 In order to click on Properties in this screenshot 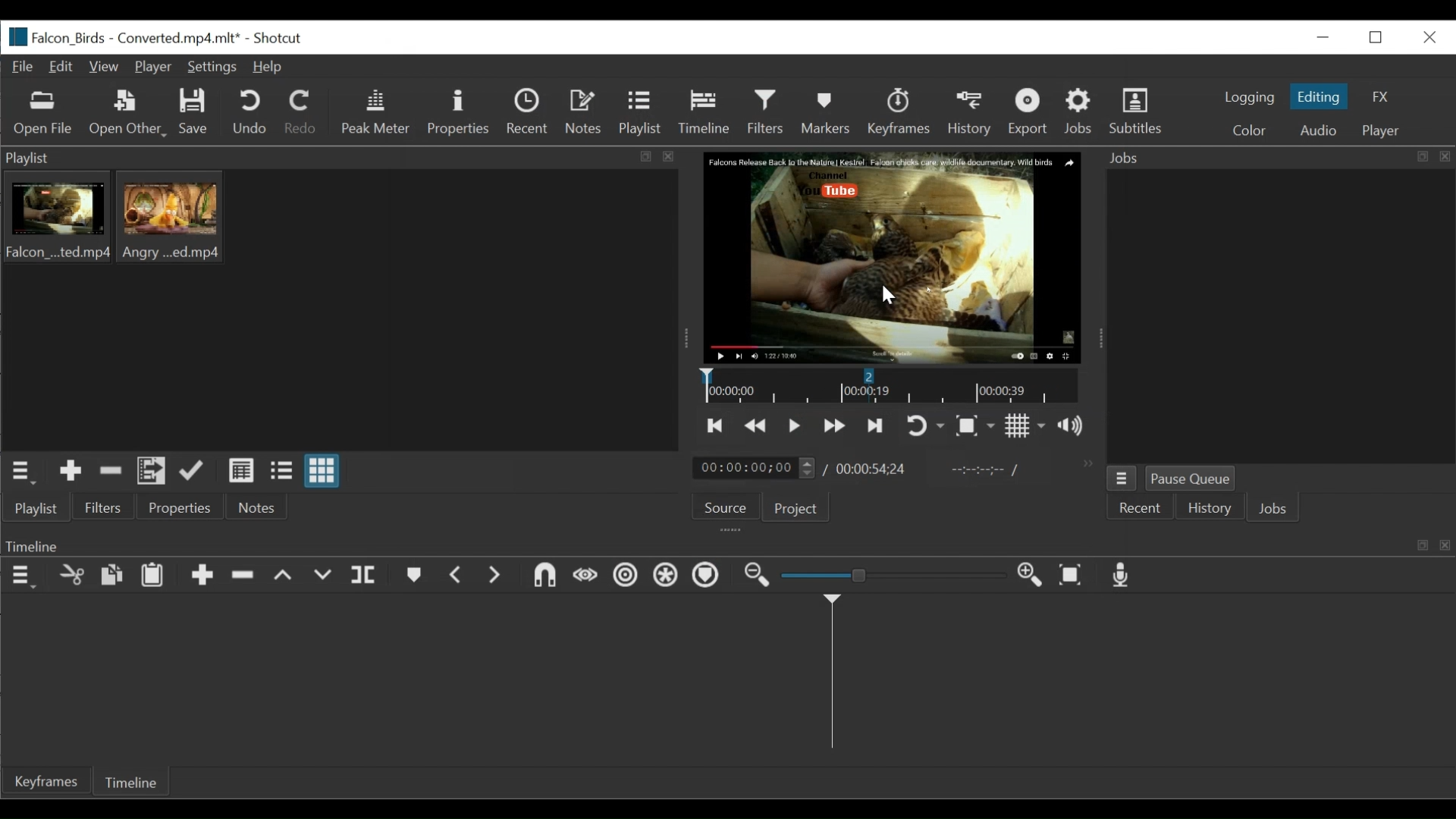, I will do `click(184, 506)`.